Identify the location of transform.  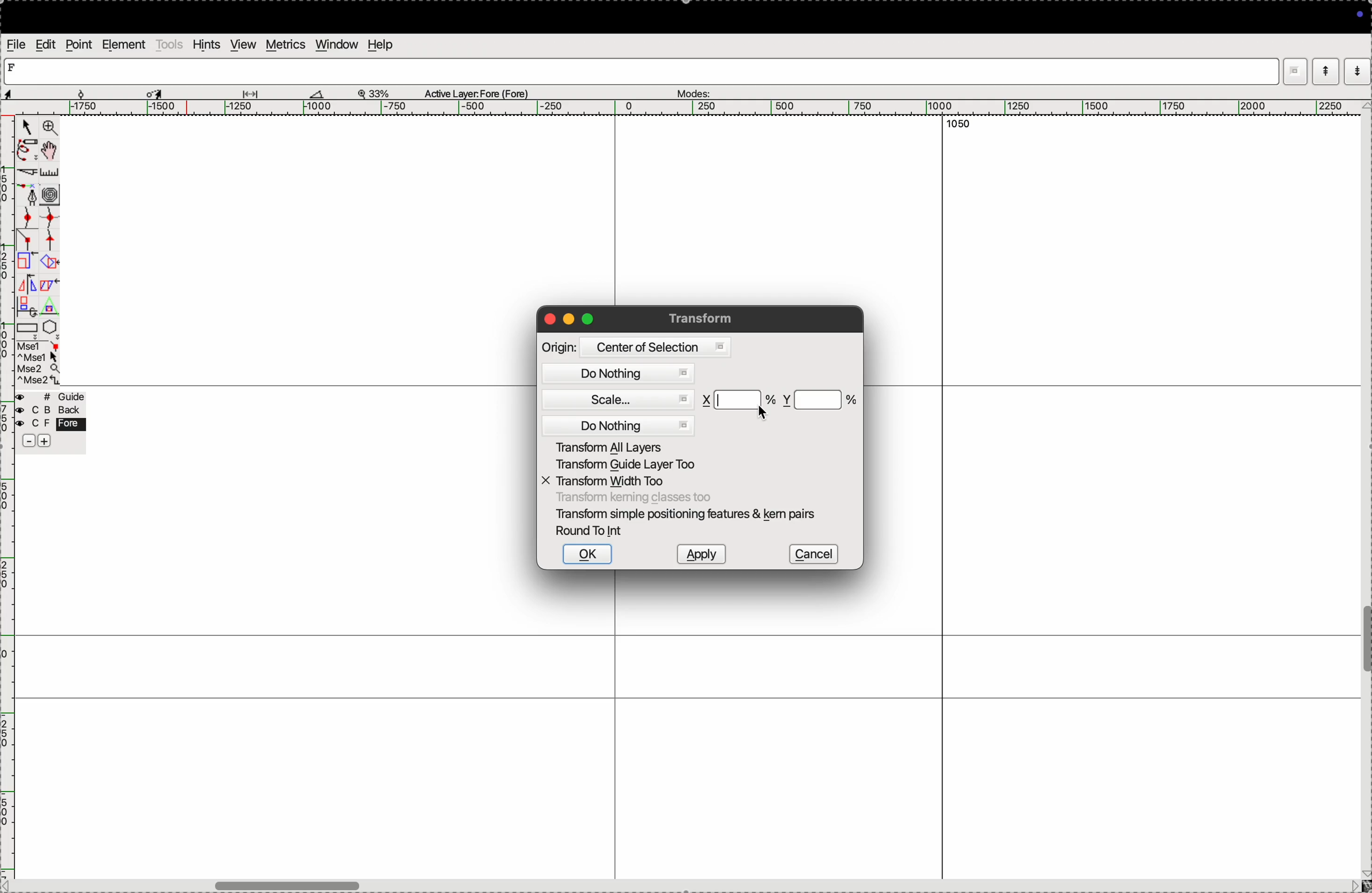
(704, 318).